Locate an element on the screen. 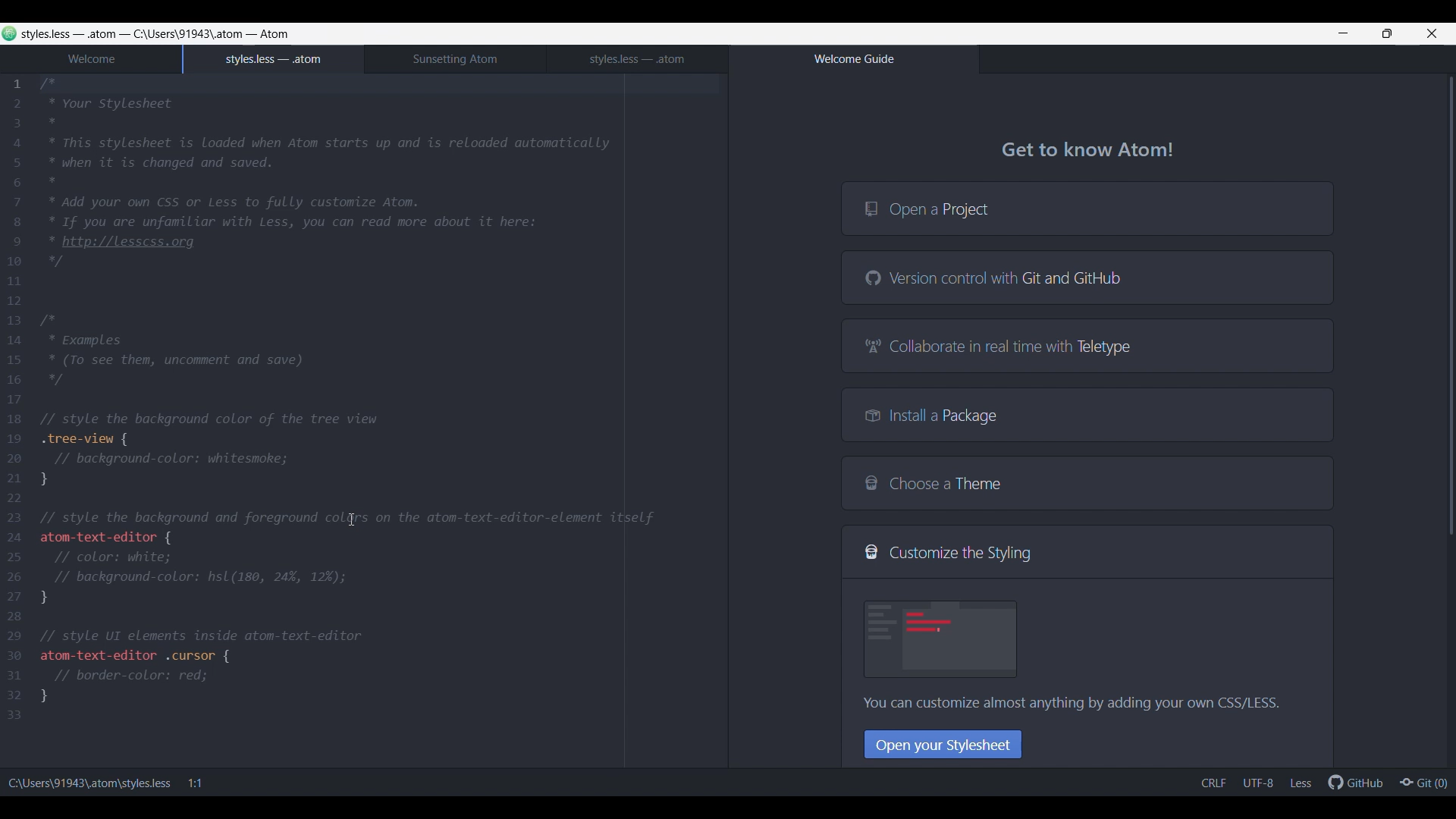 The image size is (1456, 819). Collaborate in real time with Teletype is located at coordinates (1087, 345).